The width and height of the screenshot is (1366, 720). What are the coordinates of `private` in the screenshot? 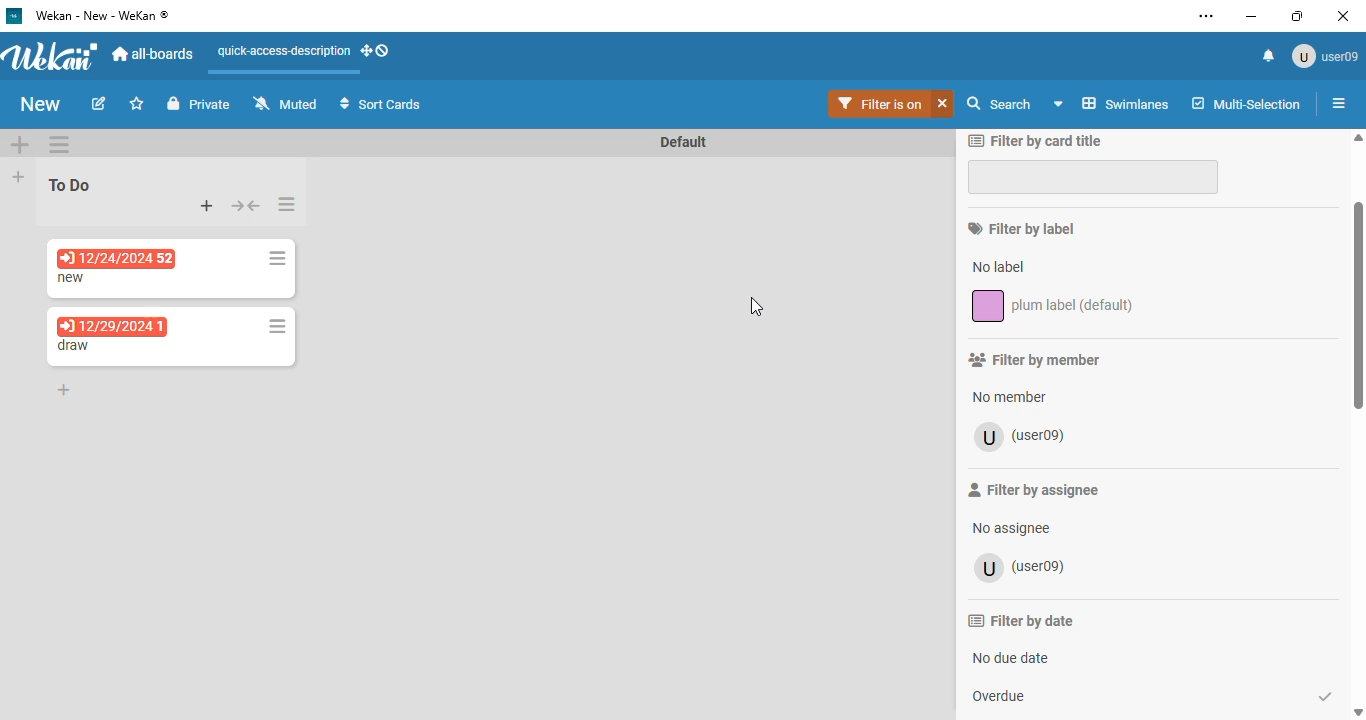 It's located at (199, 103).